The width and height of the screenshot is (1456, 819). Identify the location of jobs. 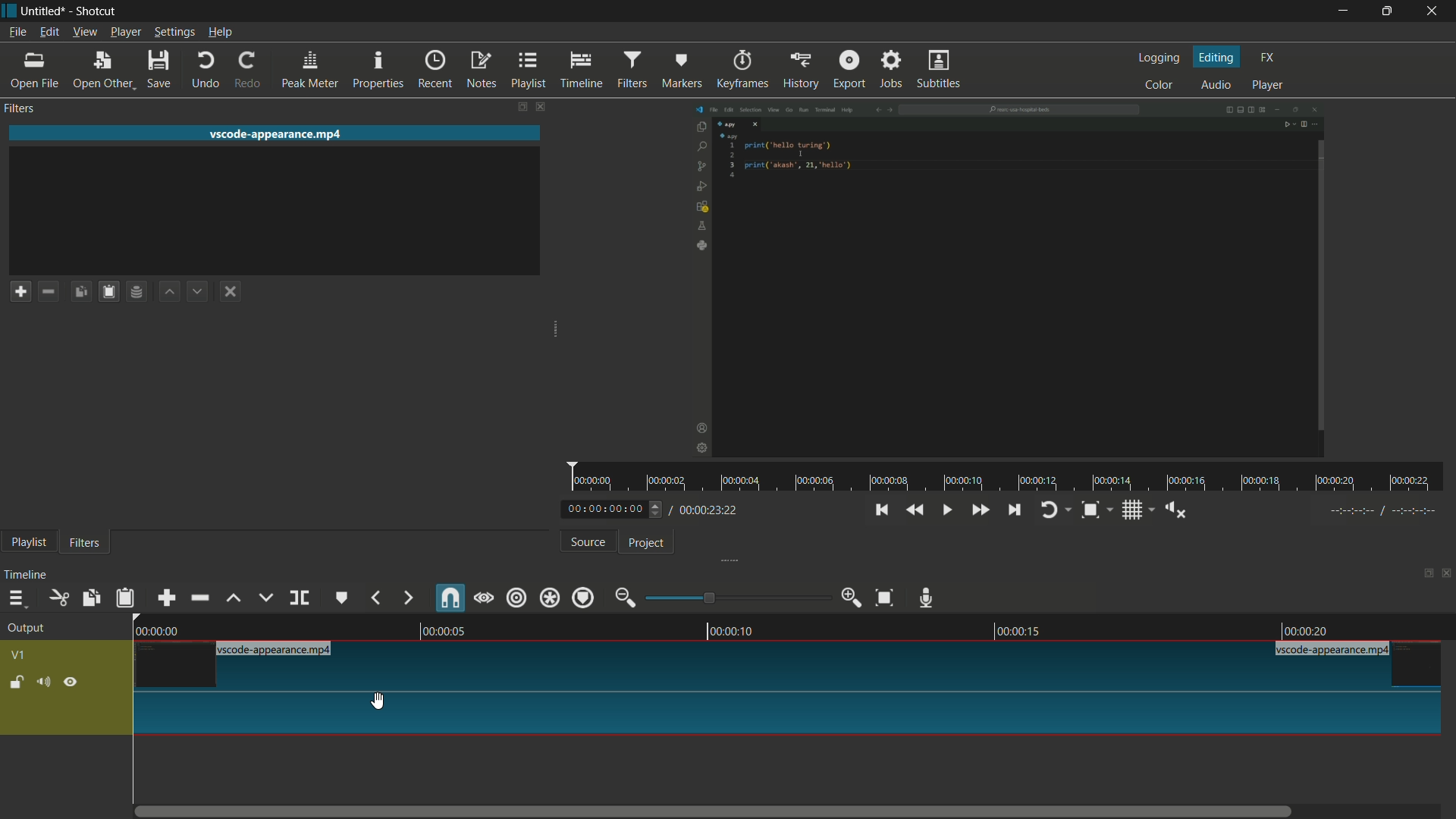
(893, 71).